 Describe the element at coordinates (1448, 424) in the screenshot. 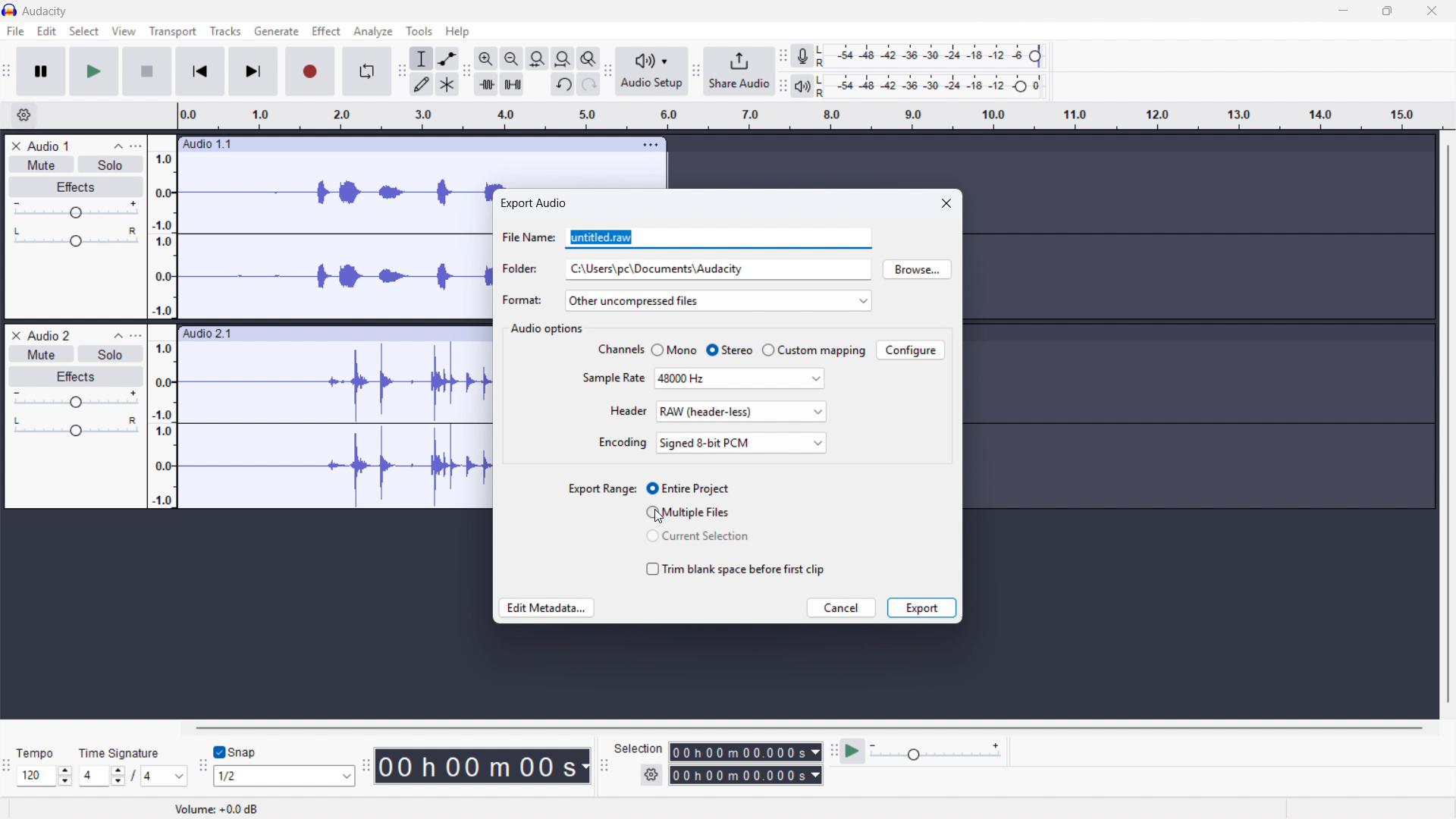

I see `Vertical scrollbar` at that location.